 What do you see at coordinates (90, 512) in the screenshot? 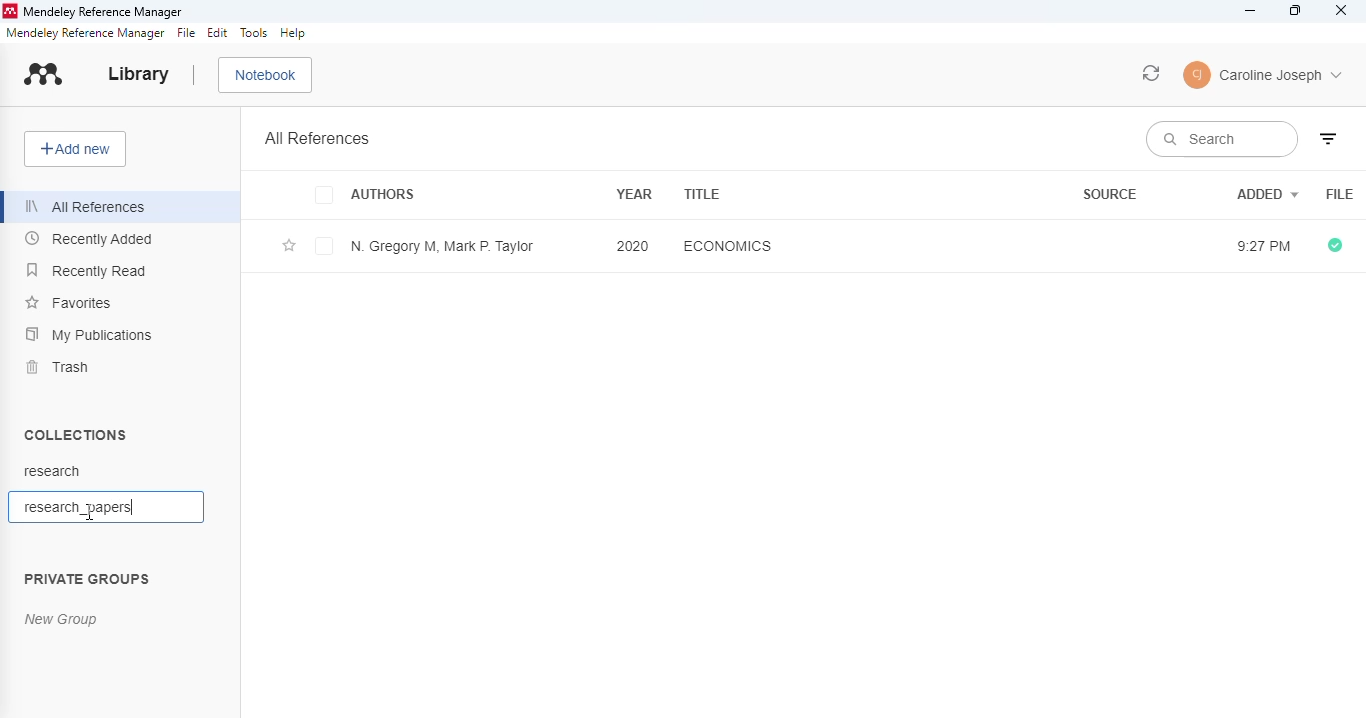
I see `cursor` at bounding box center [90, 512].